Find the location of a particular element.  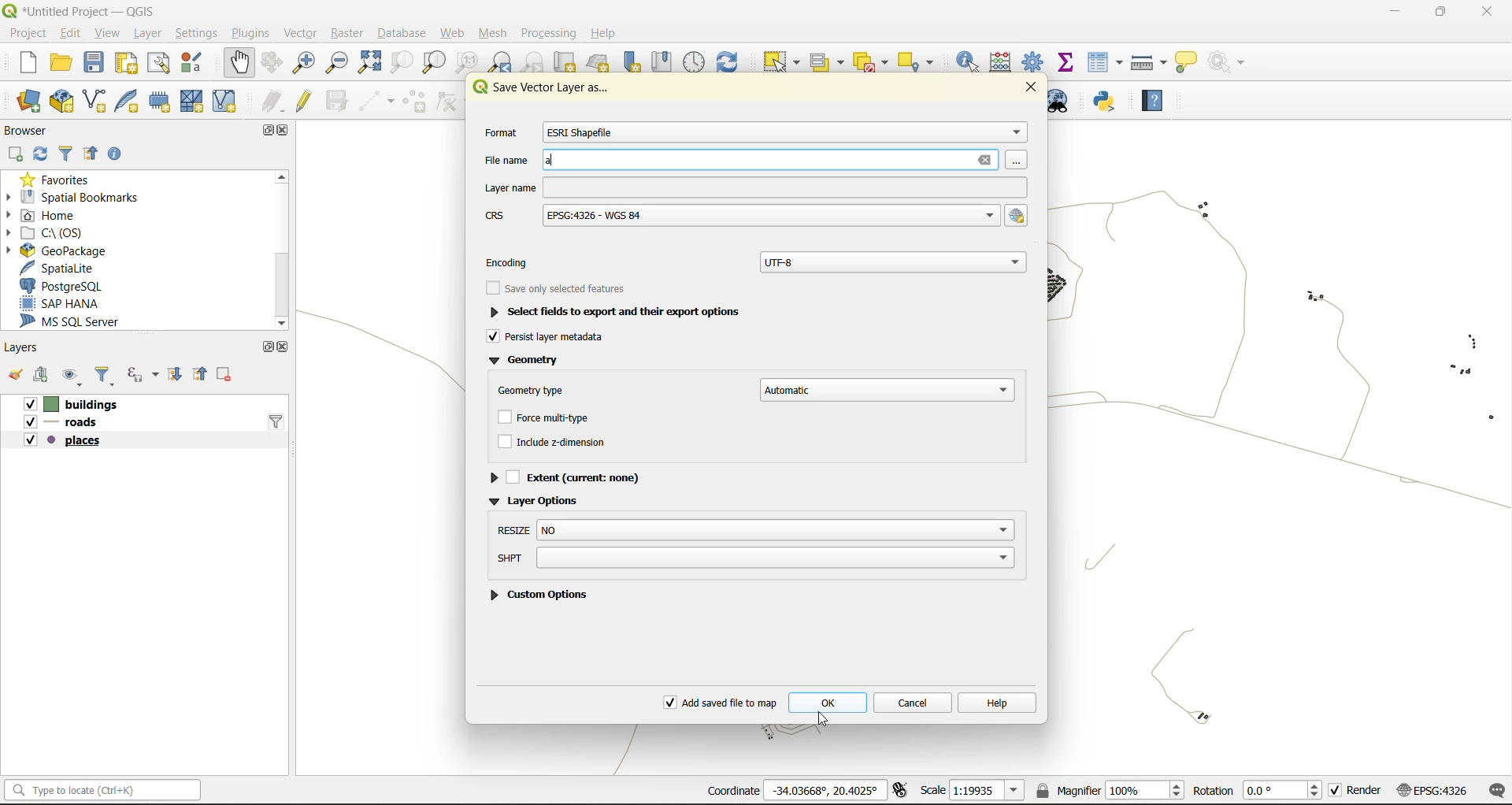

open is located at coordinates (16, 376).